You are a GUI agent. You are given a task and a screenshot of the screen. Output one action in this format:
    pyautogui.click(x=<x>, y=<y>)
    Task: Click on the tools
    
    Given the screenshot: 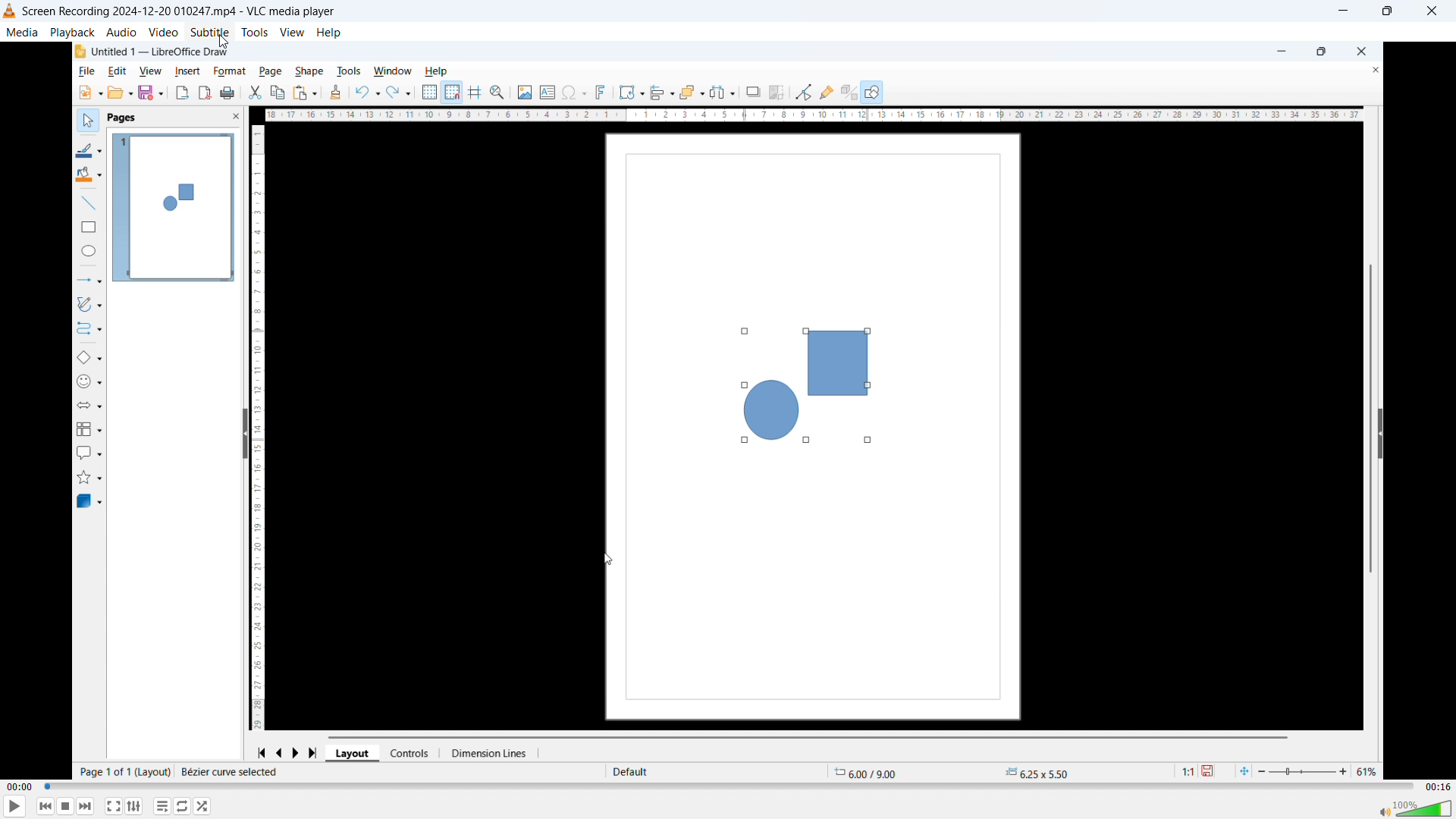 What is the action you would take?
    pyautogui.click(x=352, y=70)
    